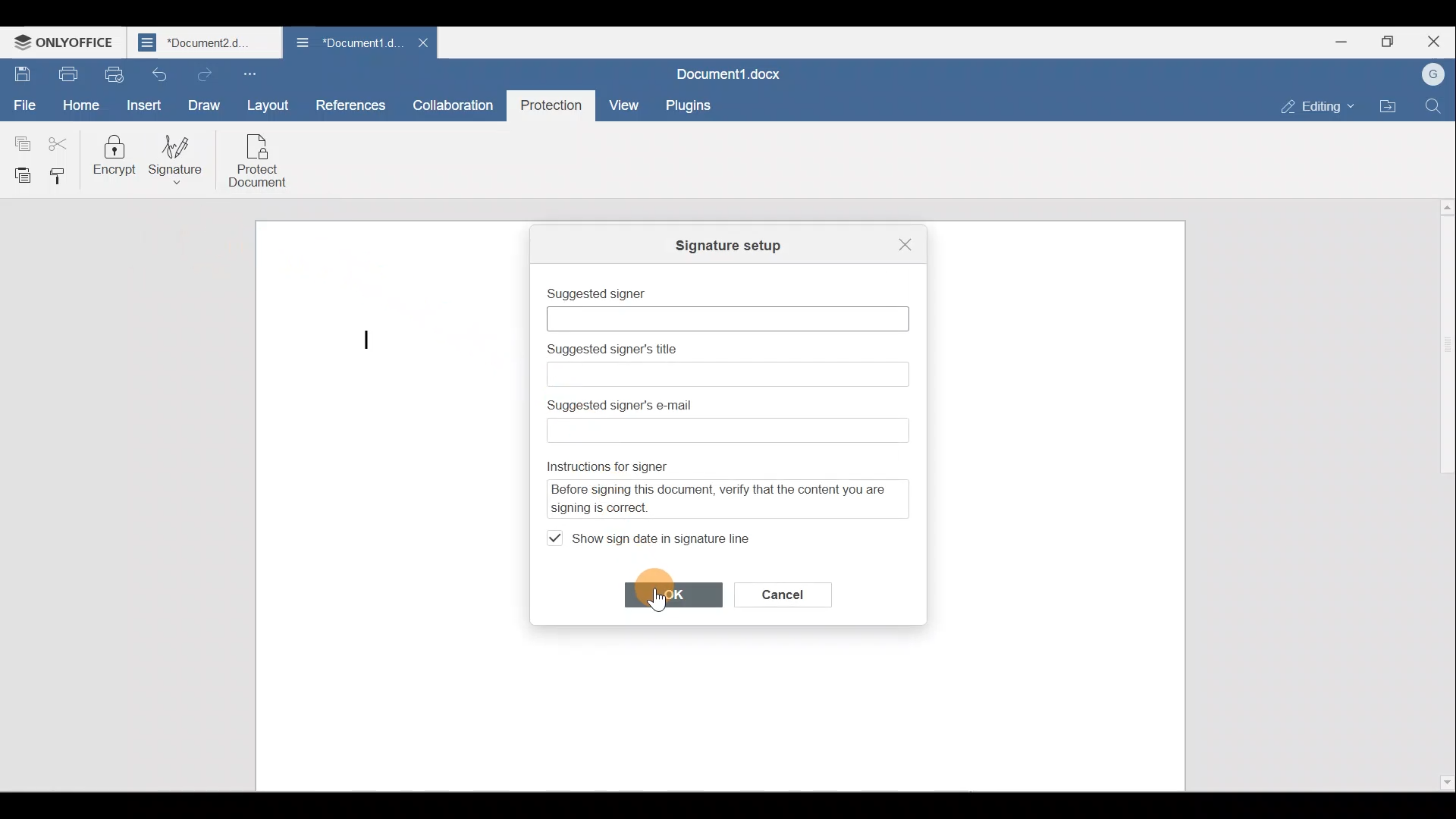 This screenshot has width=1456, height=819. I want to click on Customize quick access toolbar, so click(258, 74).